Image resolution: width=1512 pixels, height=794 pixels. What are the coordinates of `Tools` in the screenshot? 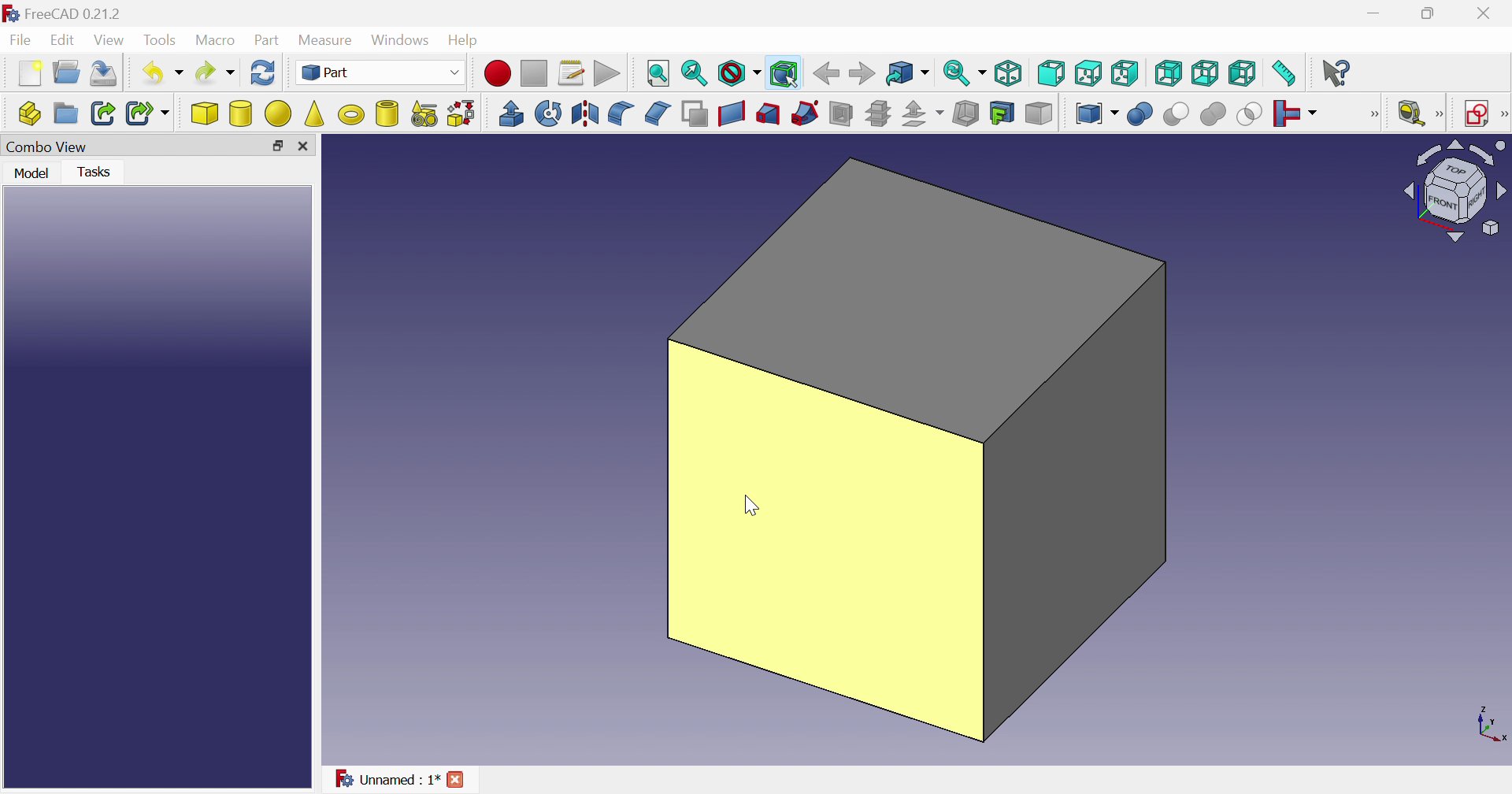 It's located at (160, 42).